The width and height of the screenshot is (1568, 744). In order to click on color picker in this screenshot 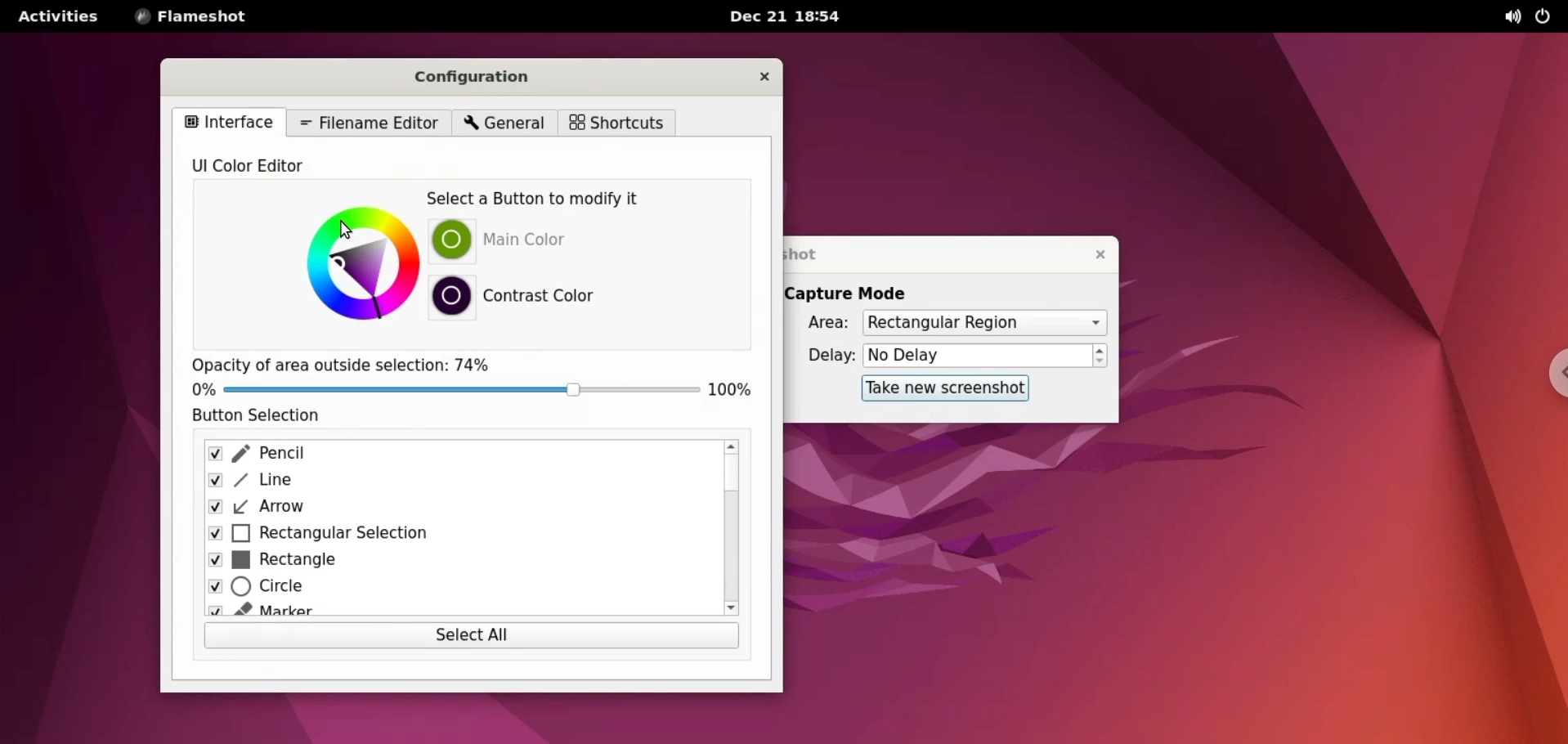, I will do `click(357, 267)`.